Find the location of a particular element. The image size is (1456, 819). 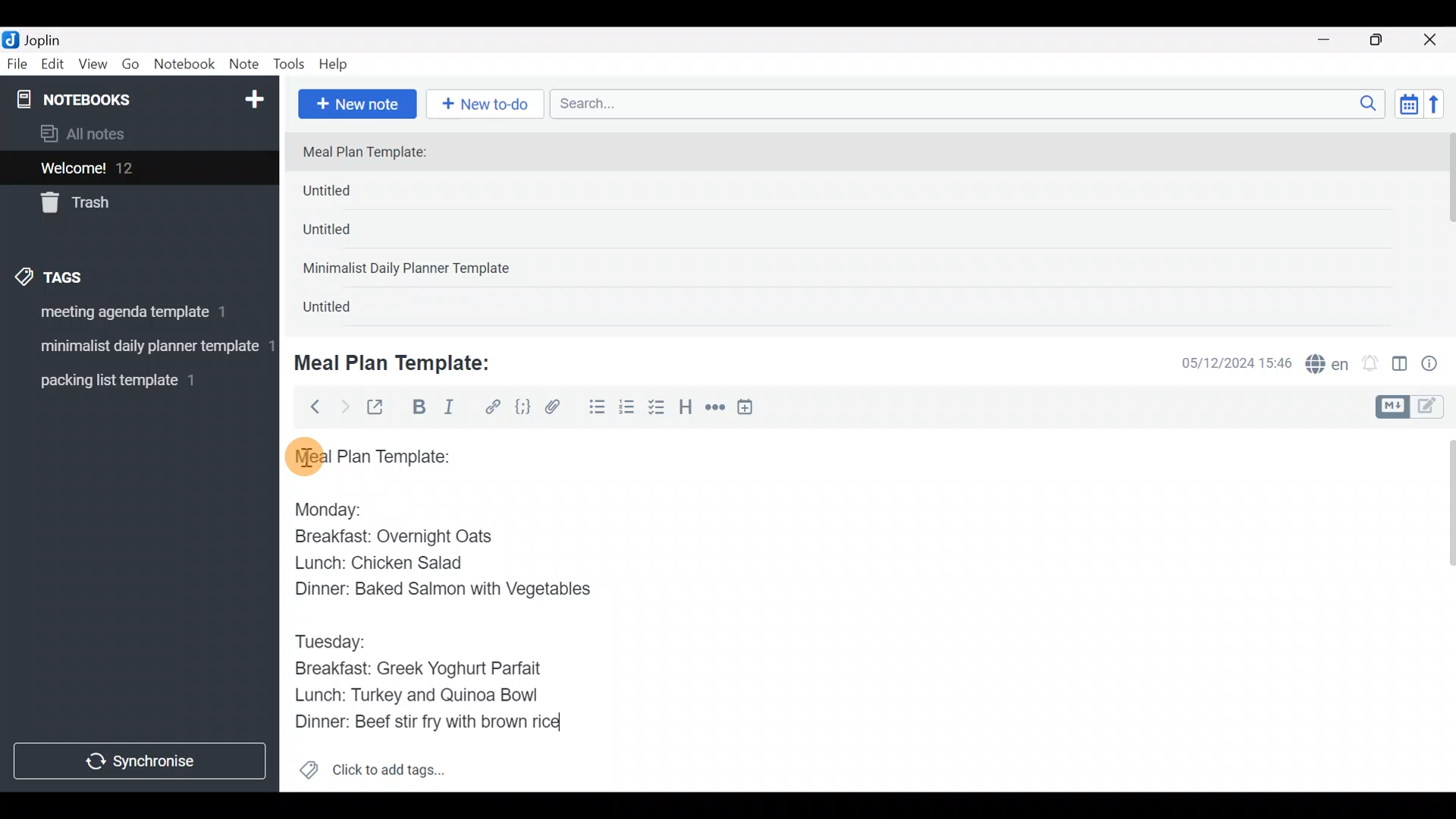

text Cursor is located at coordinates (588, 724).